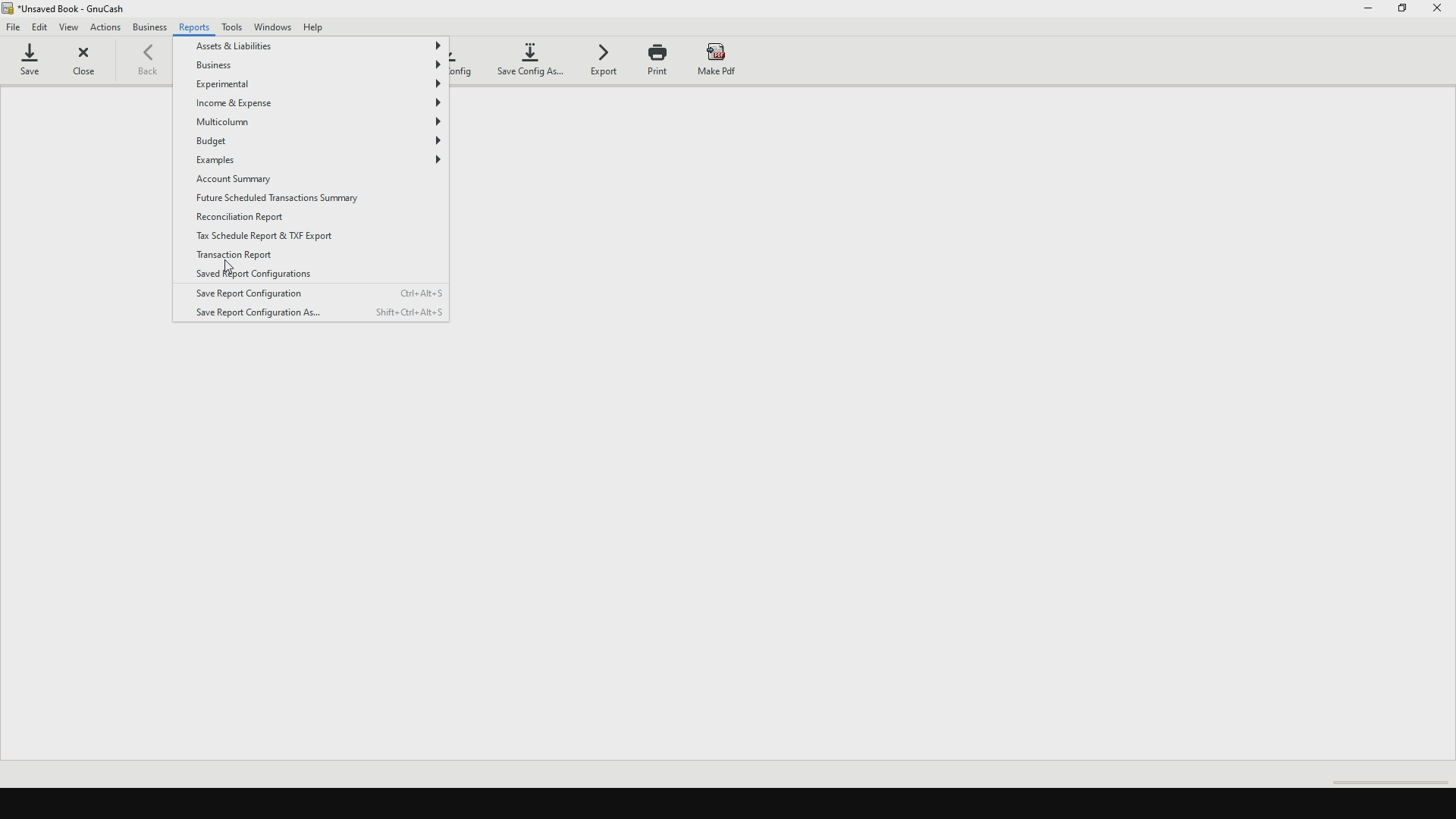 Image resolution: width=1456 pixels, height=819 pixels. Describe the element at coordinates (89, 64) in the screenshot. I see `close` at that location.